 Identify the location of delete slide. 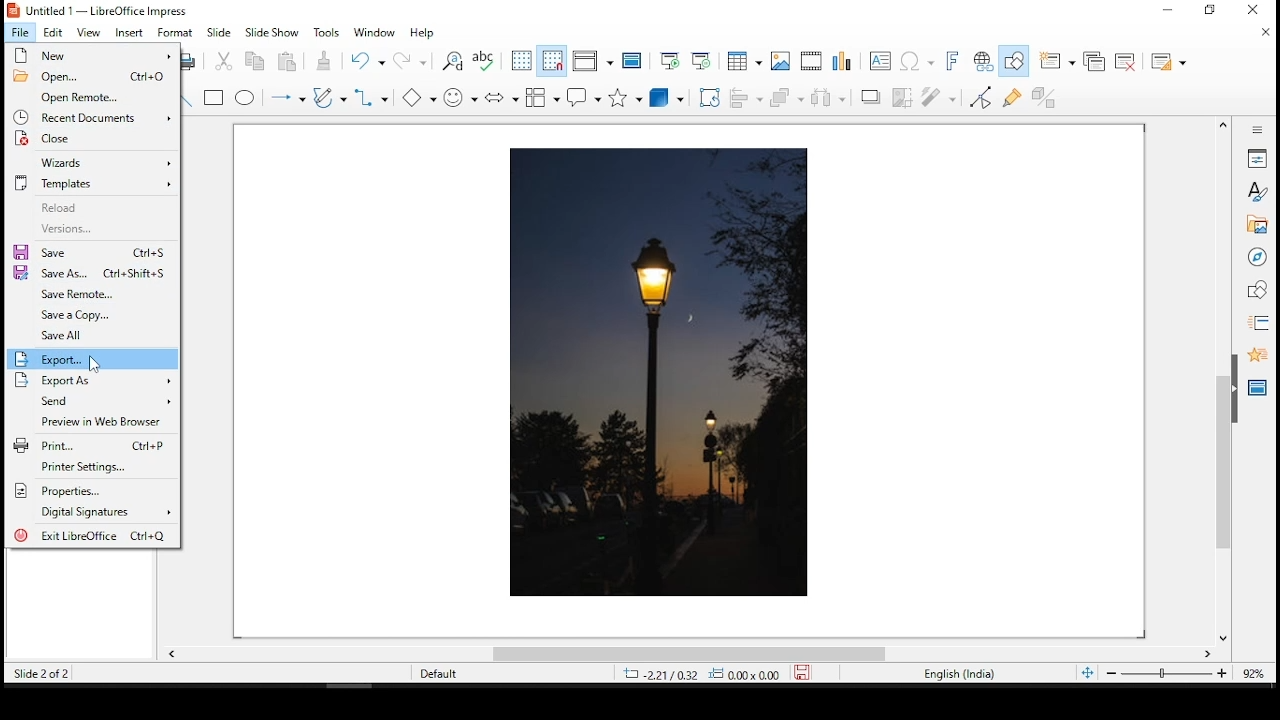
(1126, 59).